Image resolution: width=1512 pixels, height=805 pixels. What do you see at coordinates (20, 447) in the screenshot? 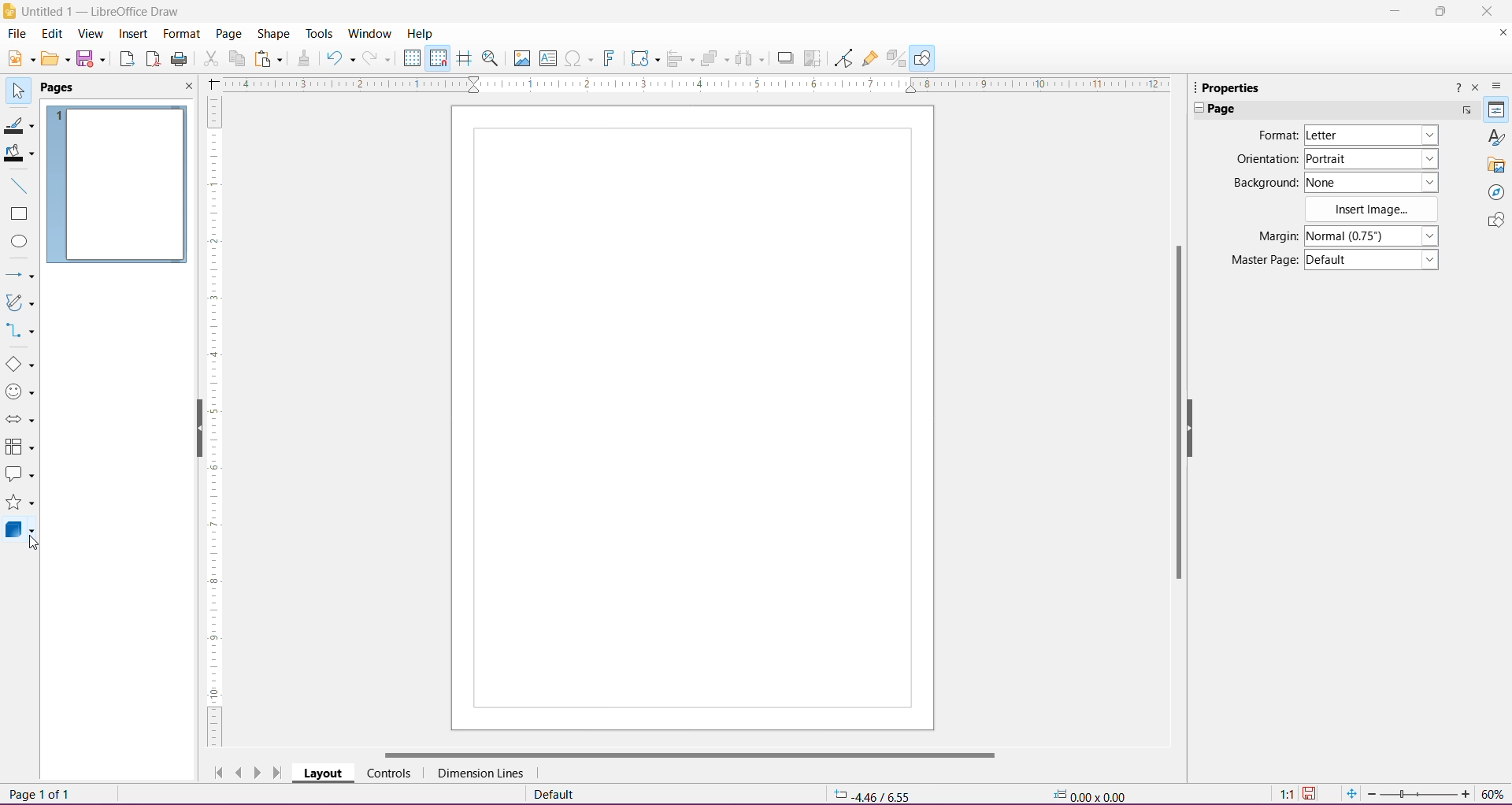
I see `Flowcharts` at bounding box center [20, 447].